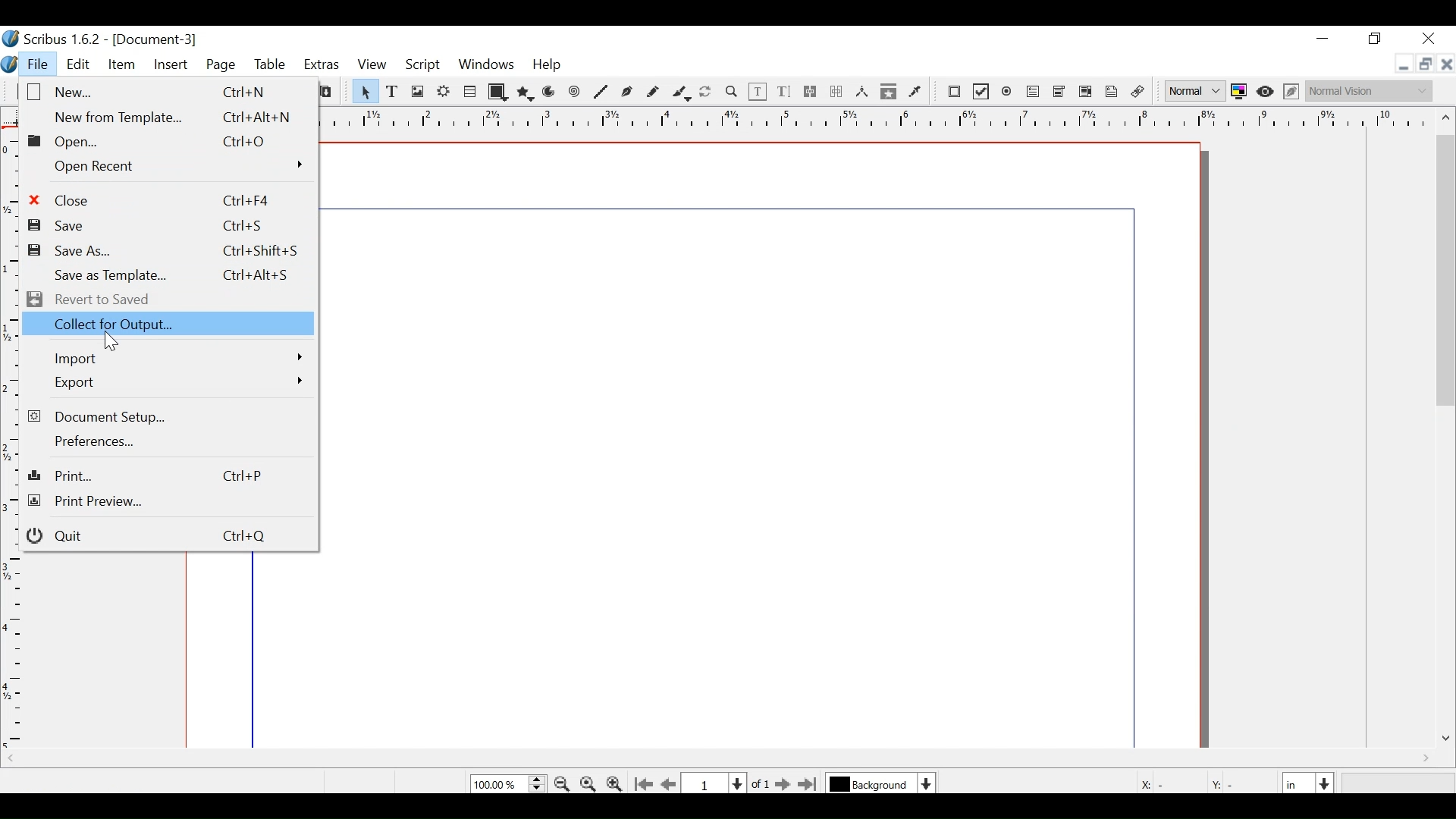  Describe the element at coordinates (393, 91) in the screenshot. I see `Text Frame` at that location.